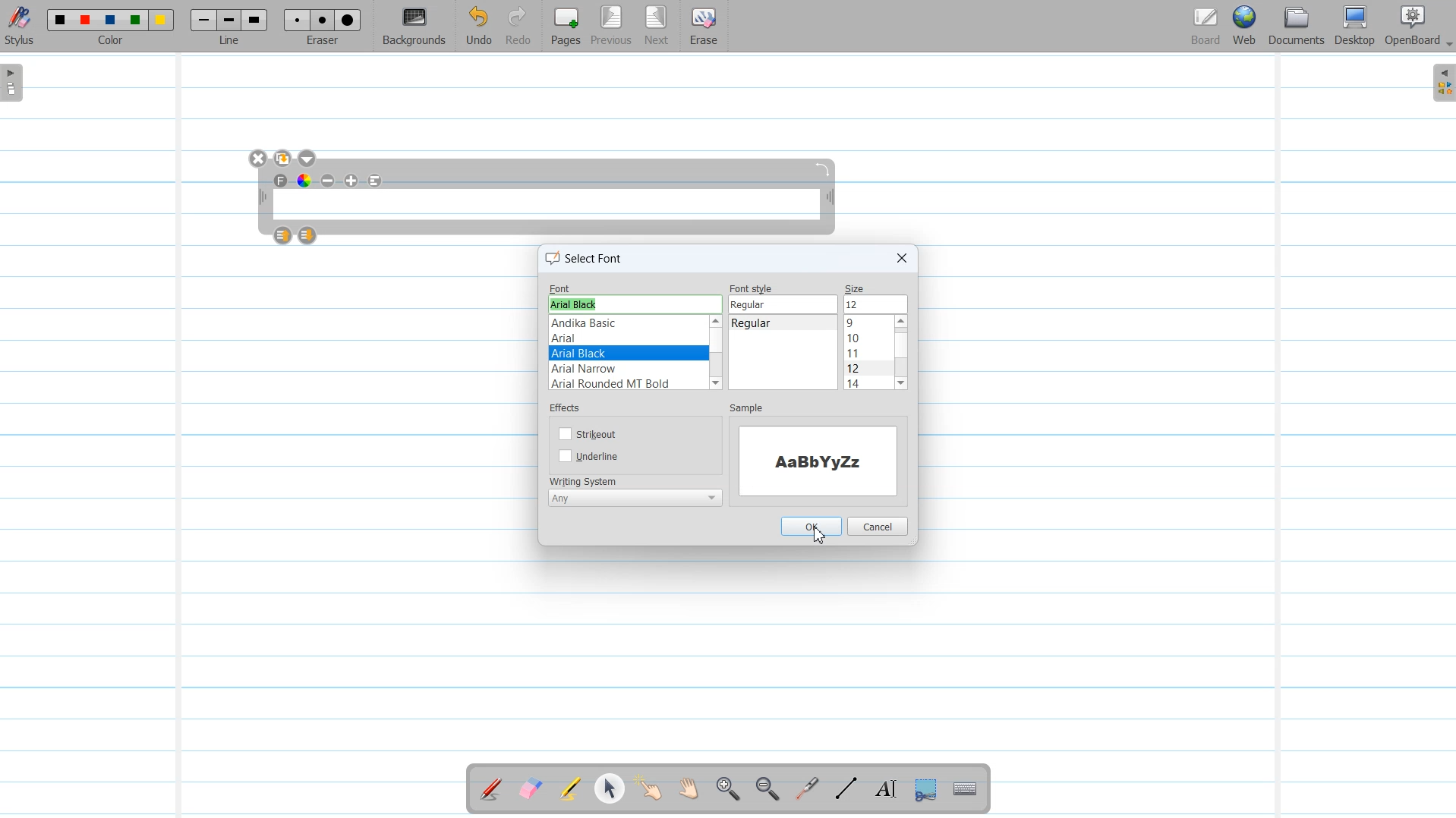 Image resolution: width=1456 pixels, height=818 pixels. Describe the element at coordinates (532, 790) in the screenshot. I see `Erase Annotation` at that location.